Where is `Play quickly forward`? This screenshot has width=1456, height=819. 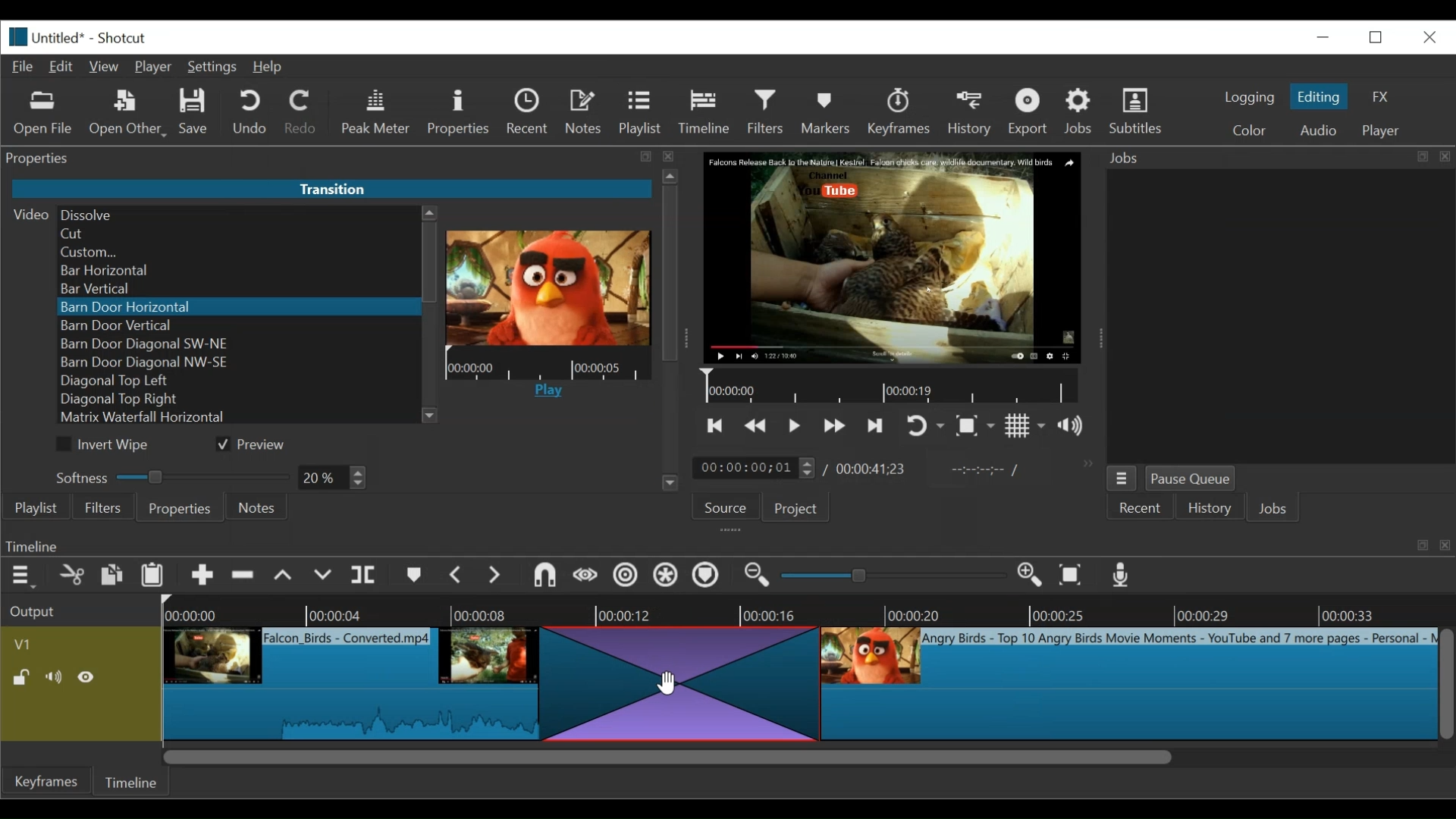
Play quickly forward is located at coordinates (834, 425).